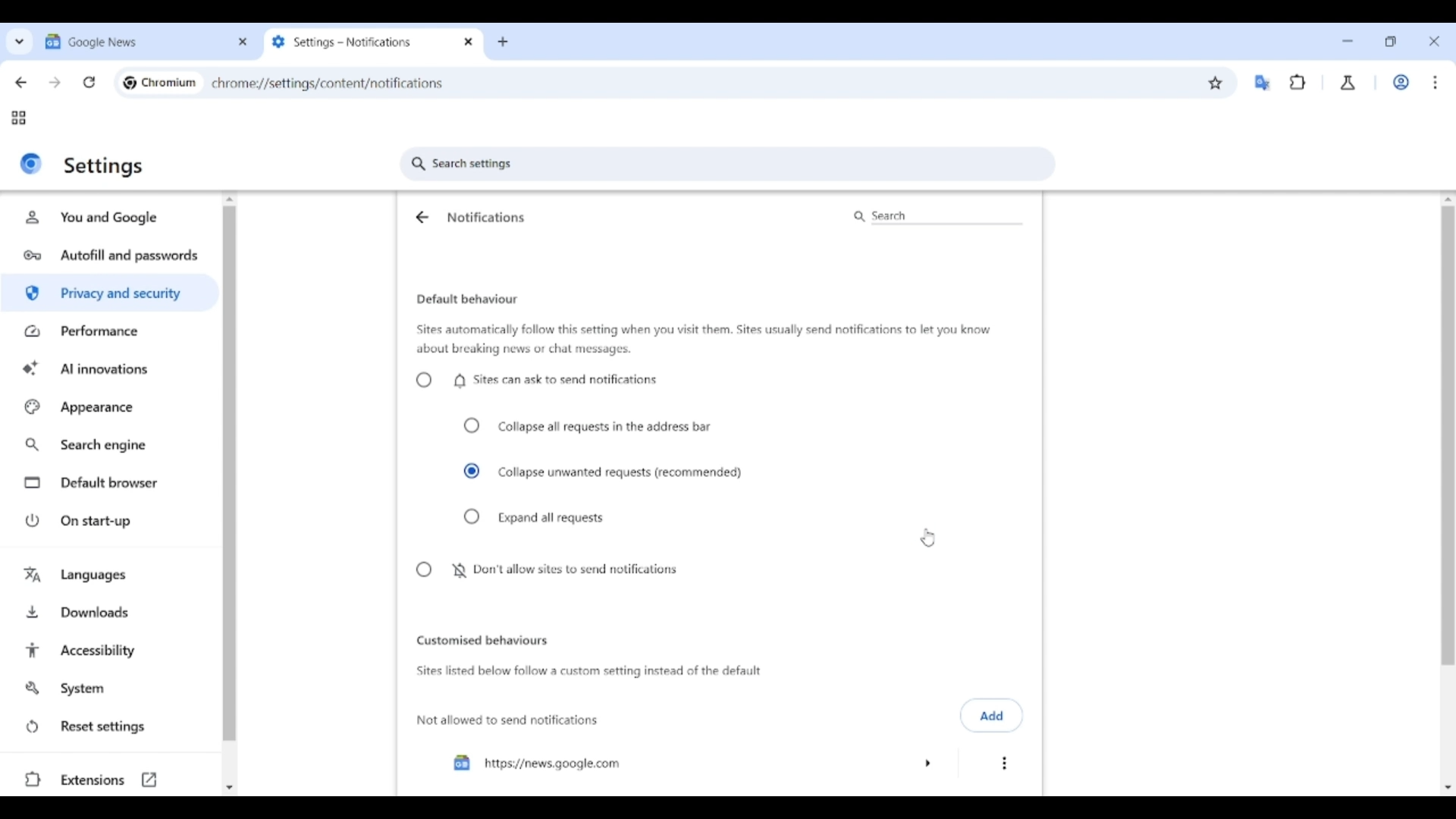  What do you see at coordinates (130, 83) in the screenshot?
I see `Chromium logo` at bounding box center [130, 83].